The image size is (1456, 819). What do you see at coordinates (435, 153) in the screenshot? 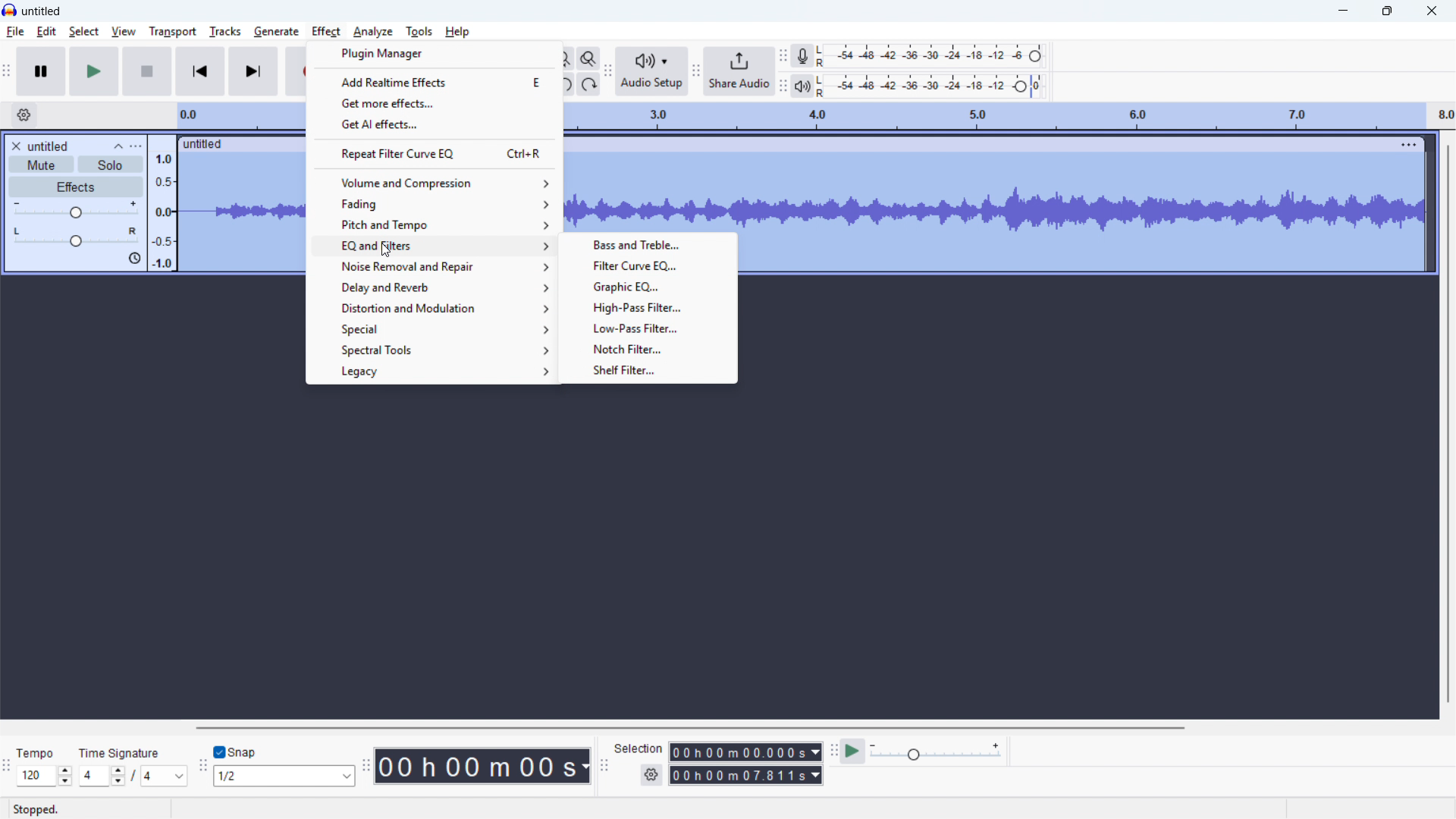
I see `Repeat last filter` at bounding box center [435, 153].